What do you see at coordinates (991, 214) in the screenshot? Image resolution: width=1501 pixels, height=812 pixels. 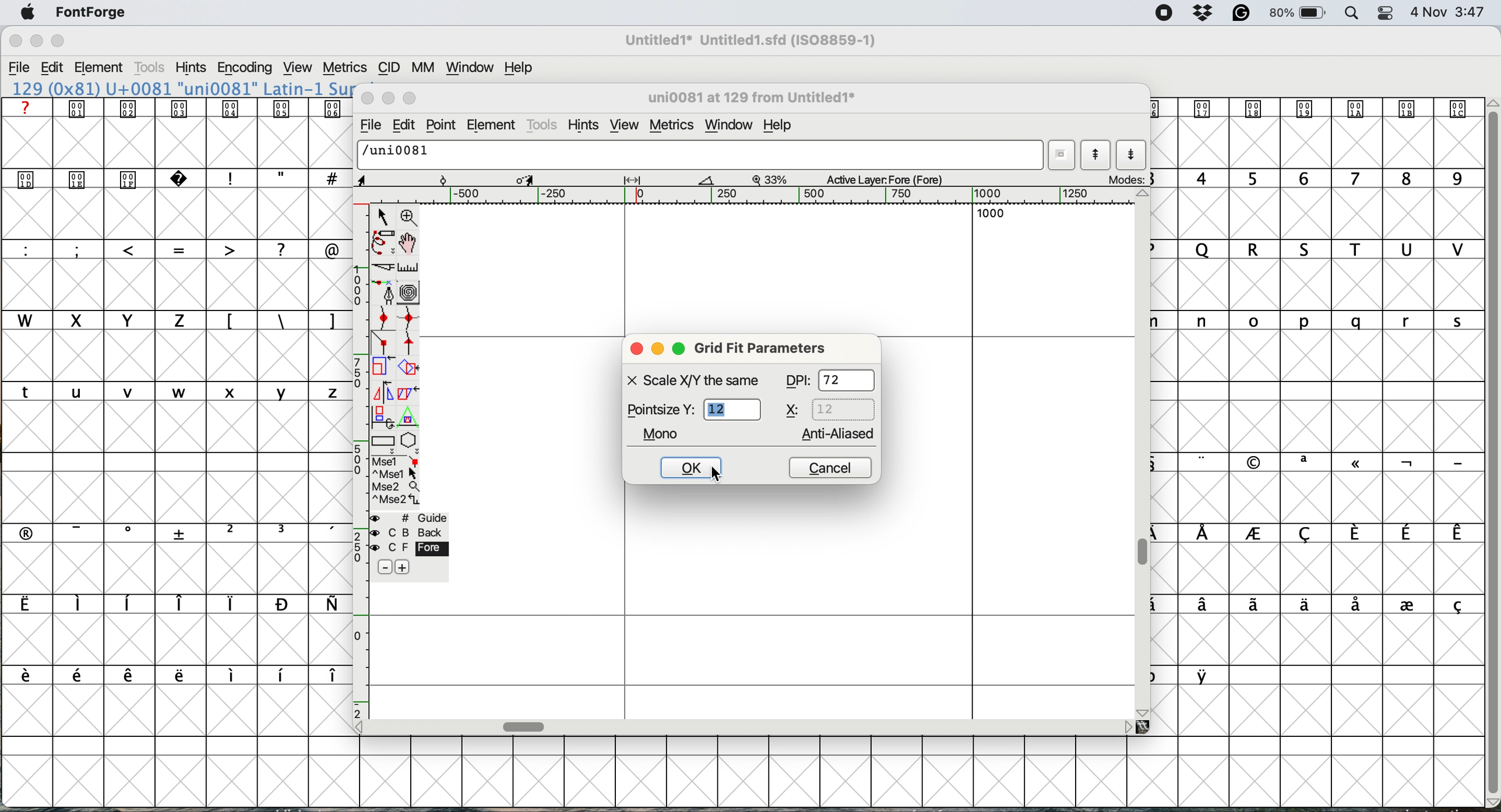 I see `1000` at bounding box center [991, 214].